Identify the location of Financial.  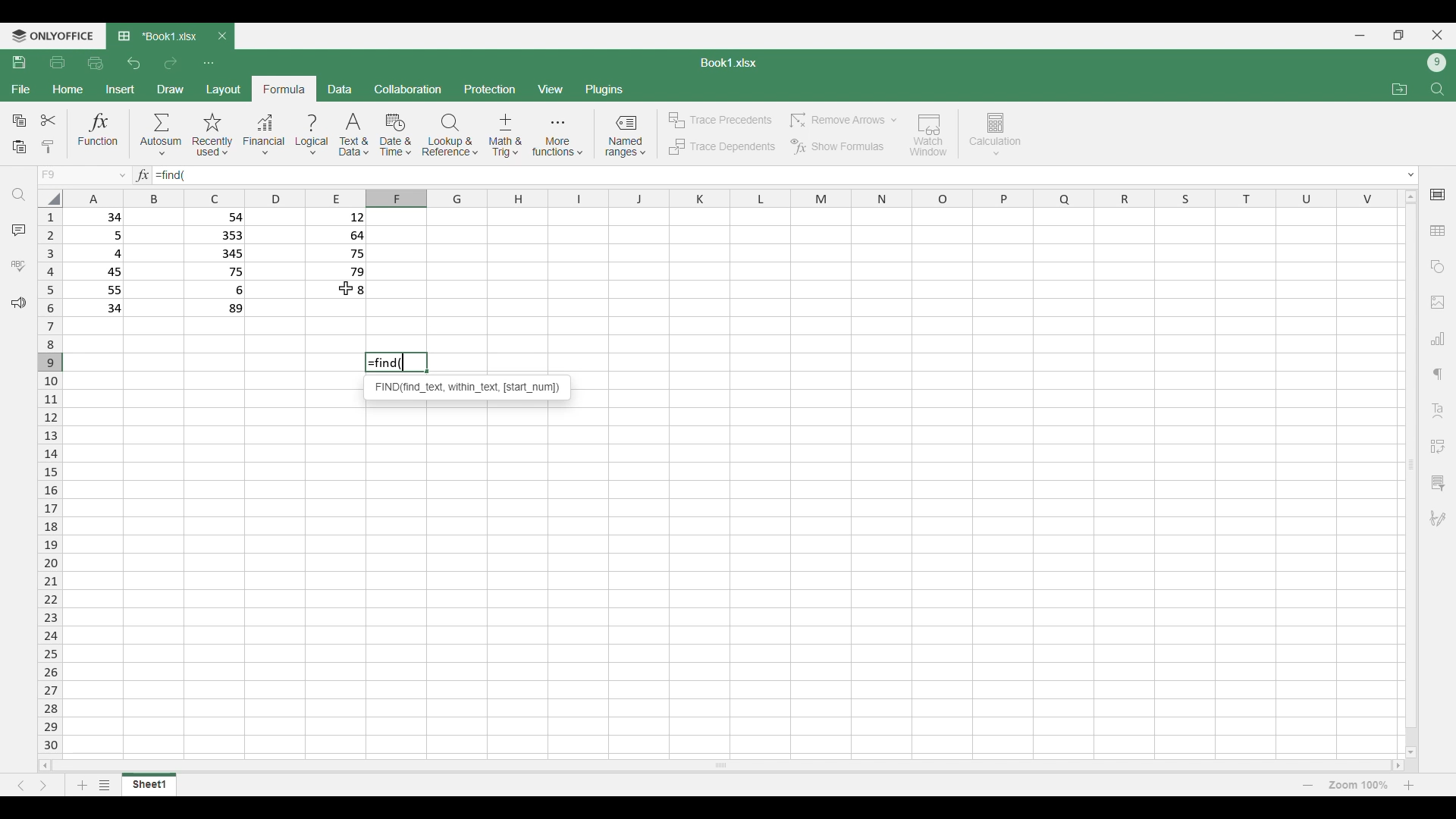
(264, 136).